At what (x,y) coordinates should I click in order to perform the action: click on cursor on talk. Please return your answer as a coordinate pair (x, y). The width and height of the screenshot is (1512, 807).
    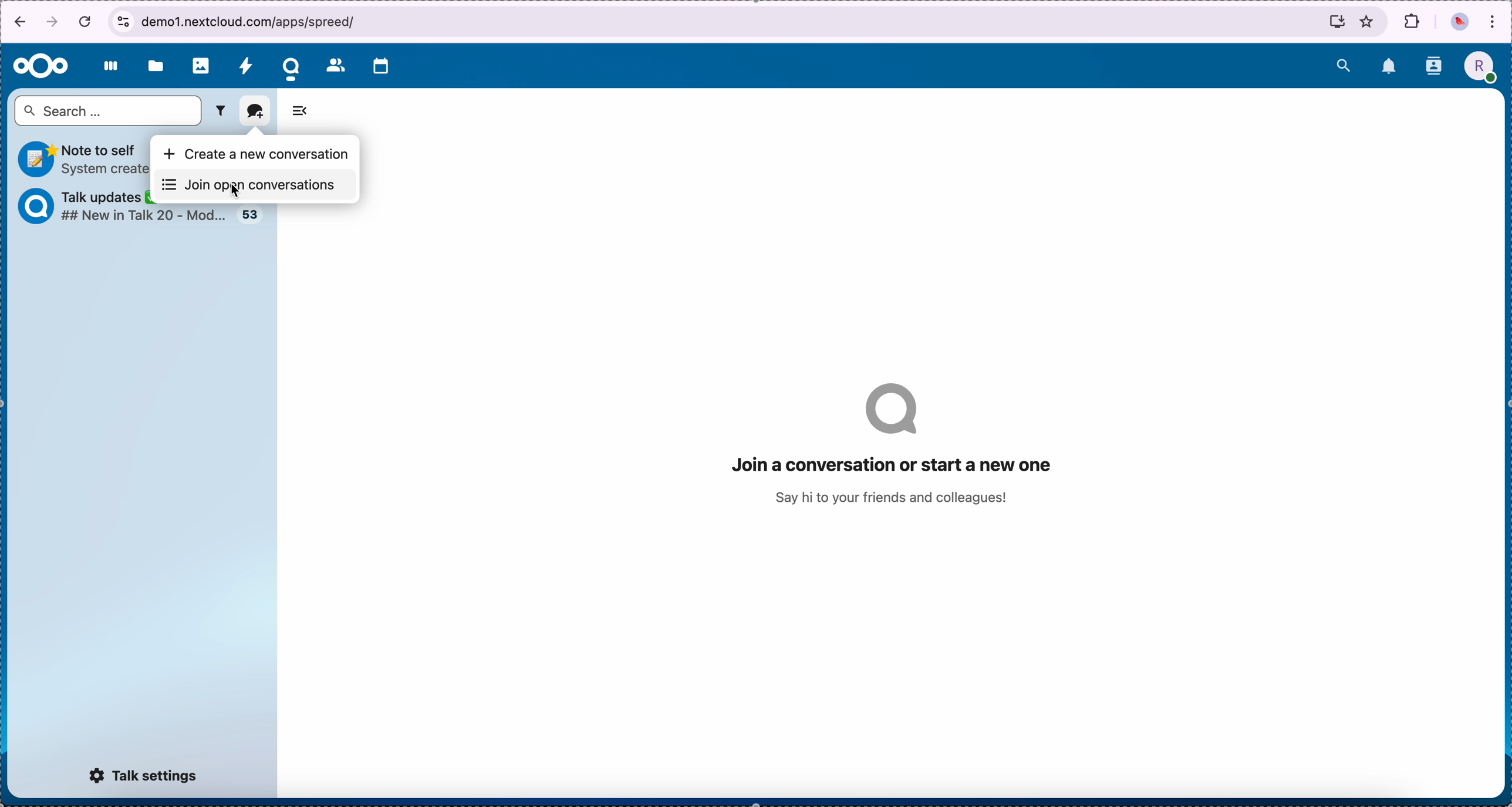
    Looking at the image, I should click on (294, 65).